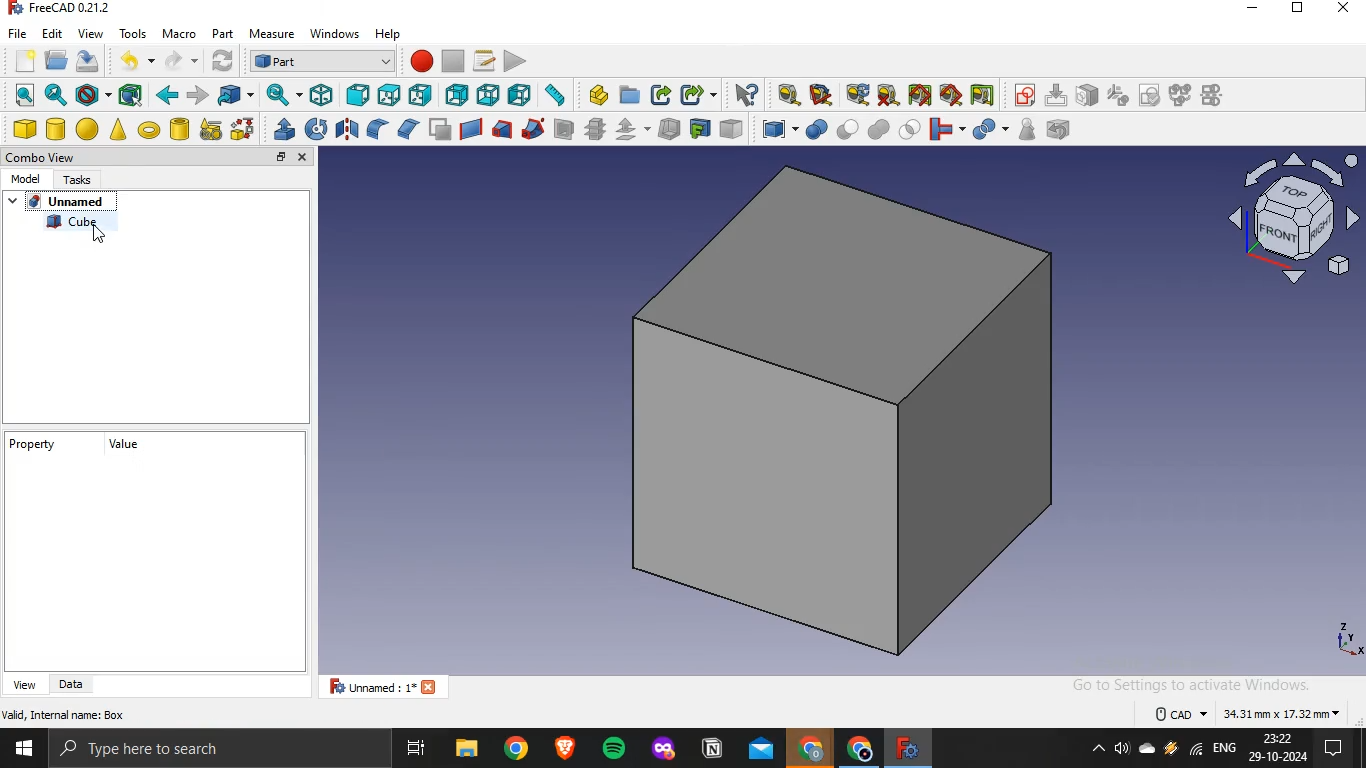  Describe the element at coordinates (713, 750) in the screenshot. I see `notion` at that location.